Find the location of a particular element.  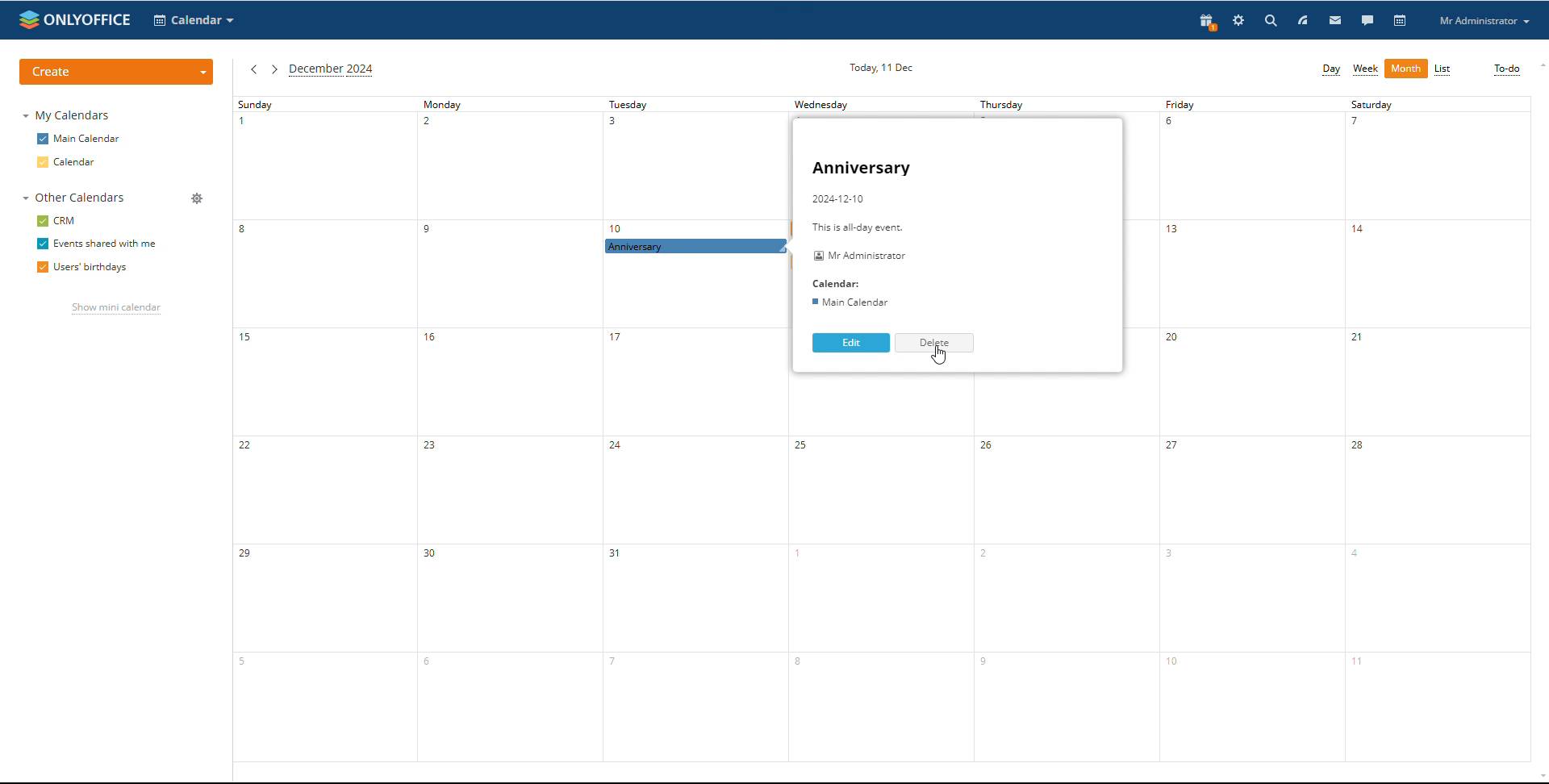

mr administrator is located at coordinates (860, 257).